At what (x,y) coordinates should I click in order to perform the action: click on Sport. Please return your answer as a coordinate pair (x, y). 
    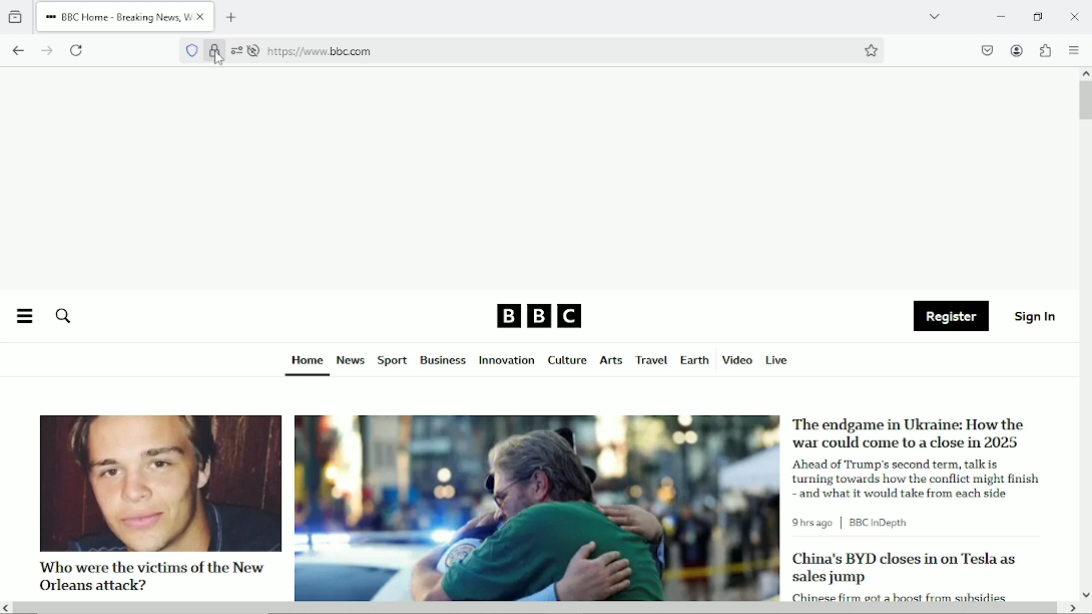
    Looking at the image, I should click on (392, 361).